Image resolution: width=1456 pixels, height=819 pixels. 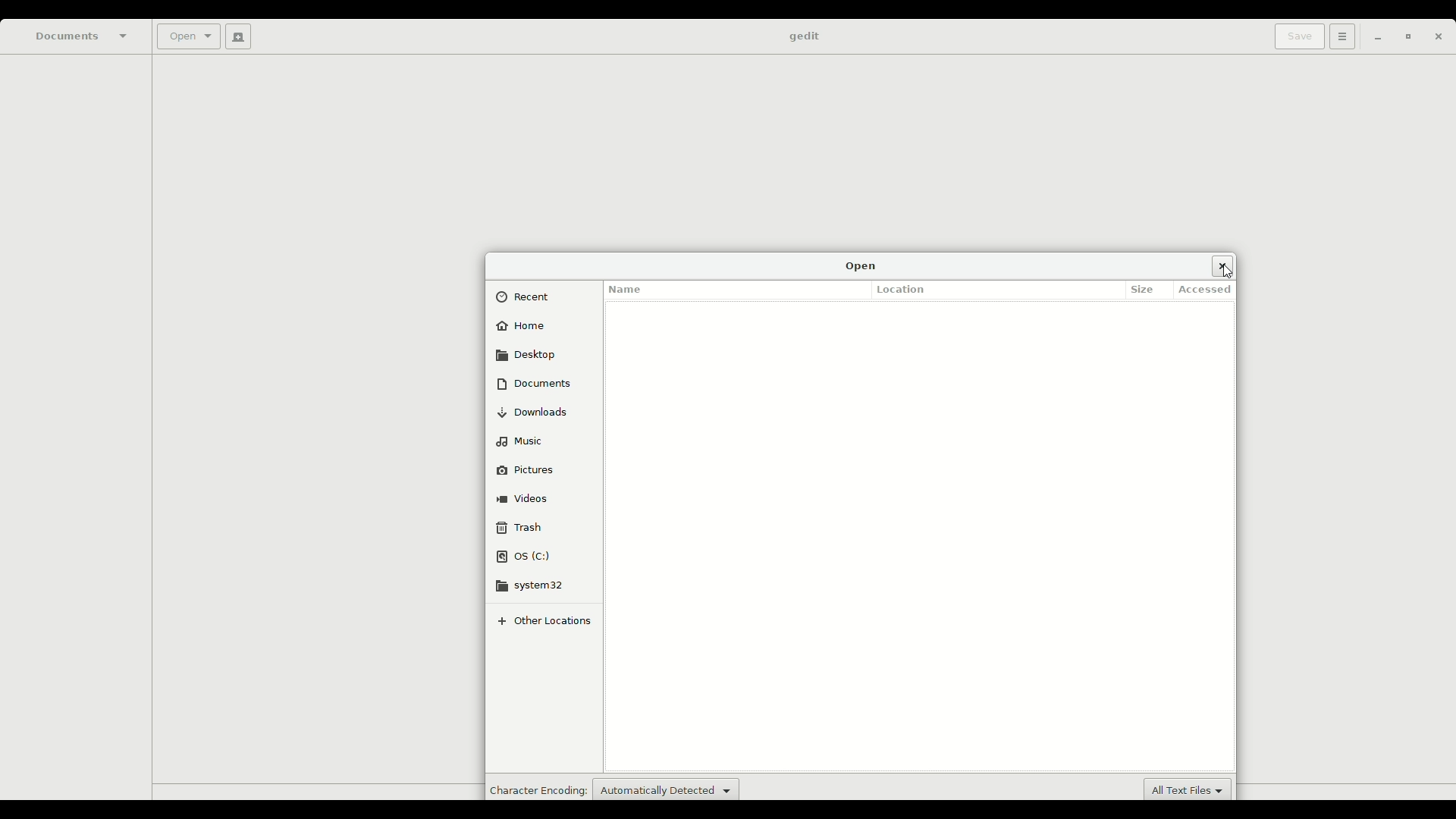 I want to click on OS, so click(x=526, y=557).